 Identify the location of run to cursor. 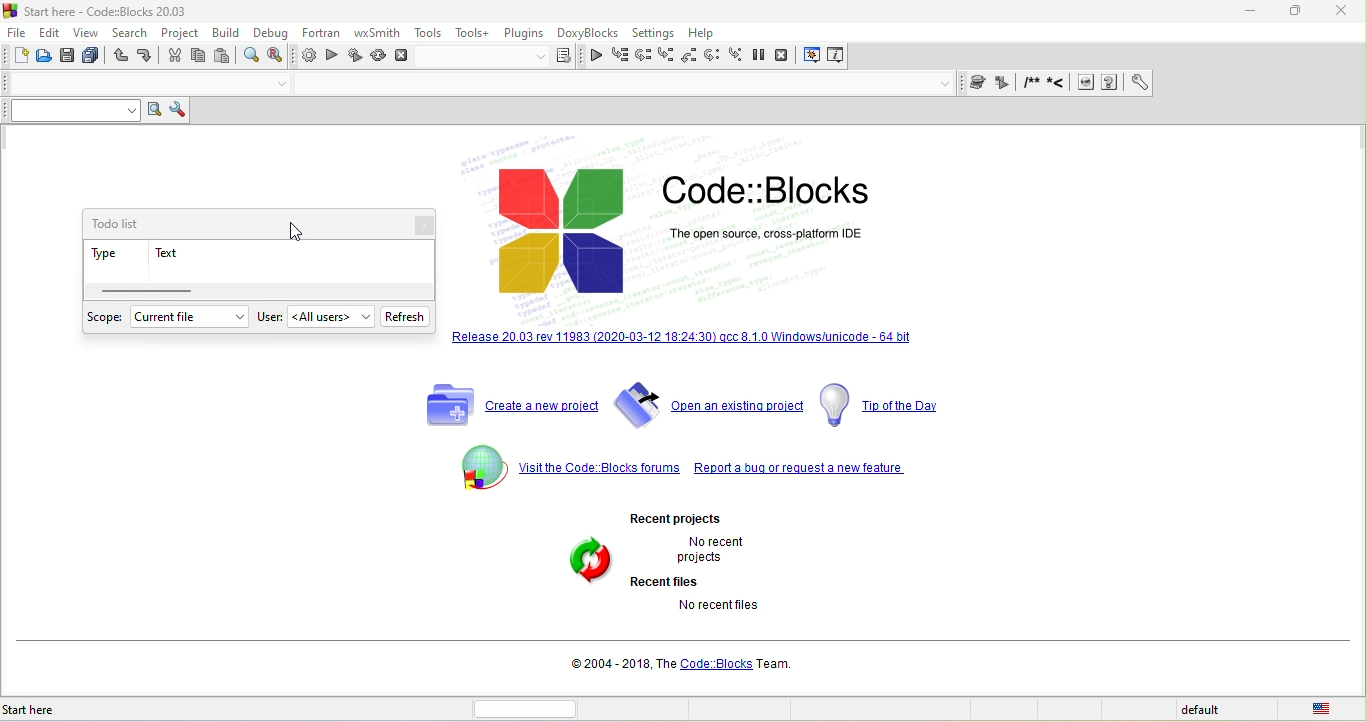
(620, 56).